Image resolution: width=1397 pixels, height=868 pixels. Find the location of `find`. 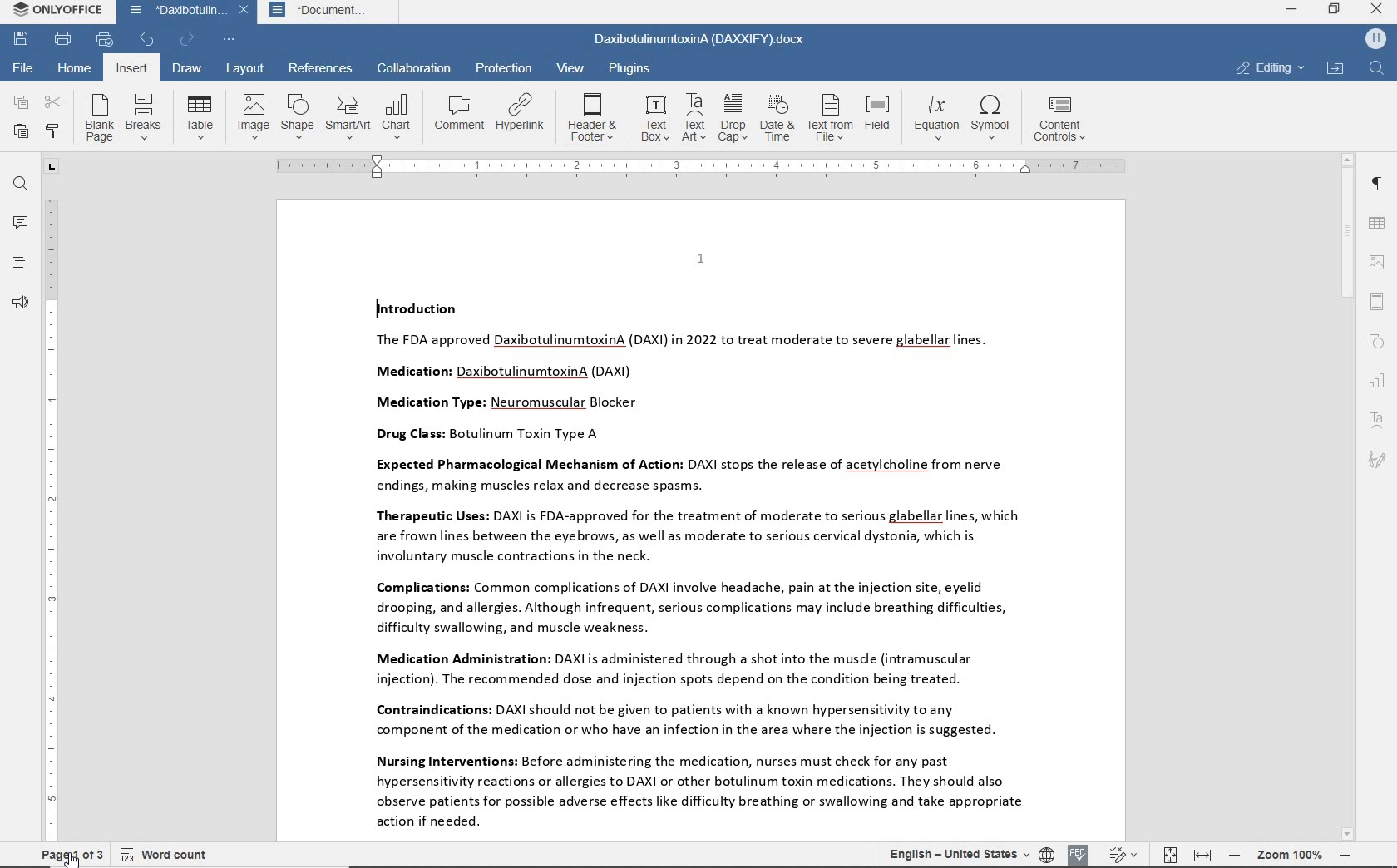

find is located at coordinates (1378, 69).